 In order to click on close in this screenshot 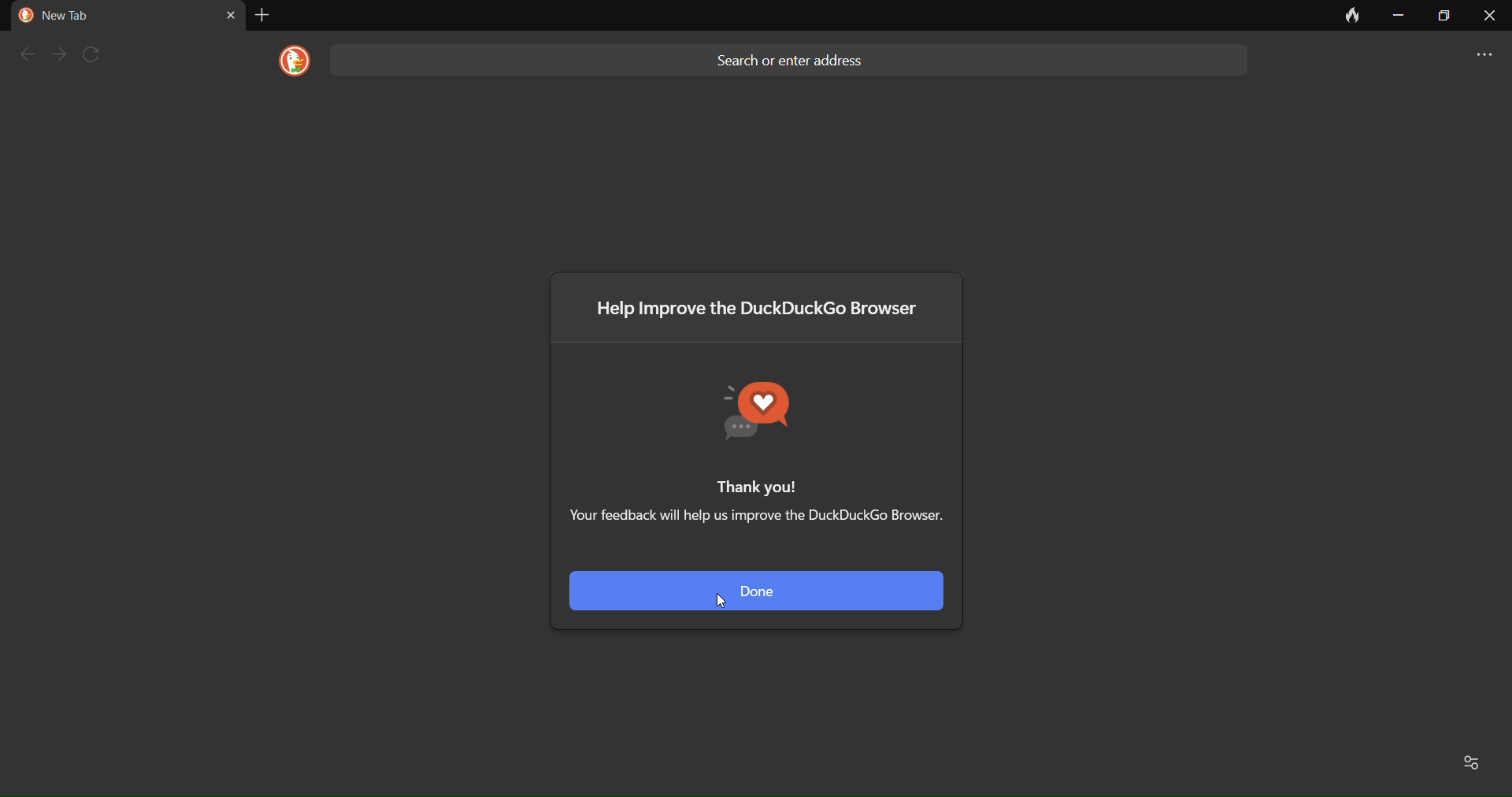, I will do `click(1489, 20)`.